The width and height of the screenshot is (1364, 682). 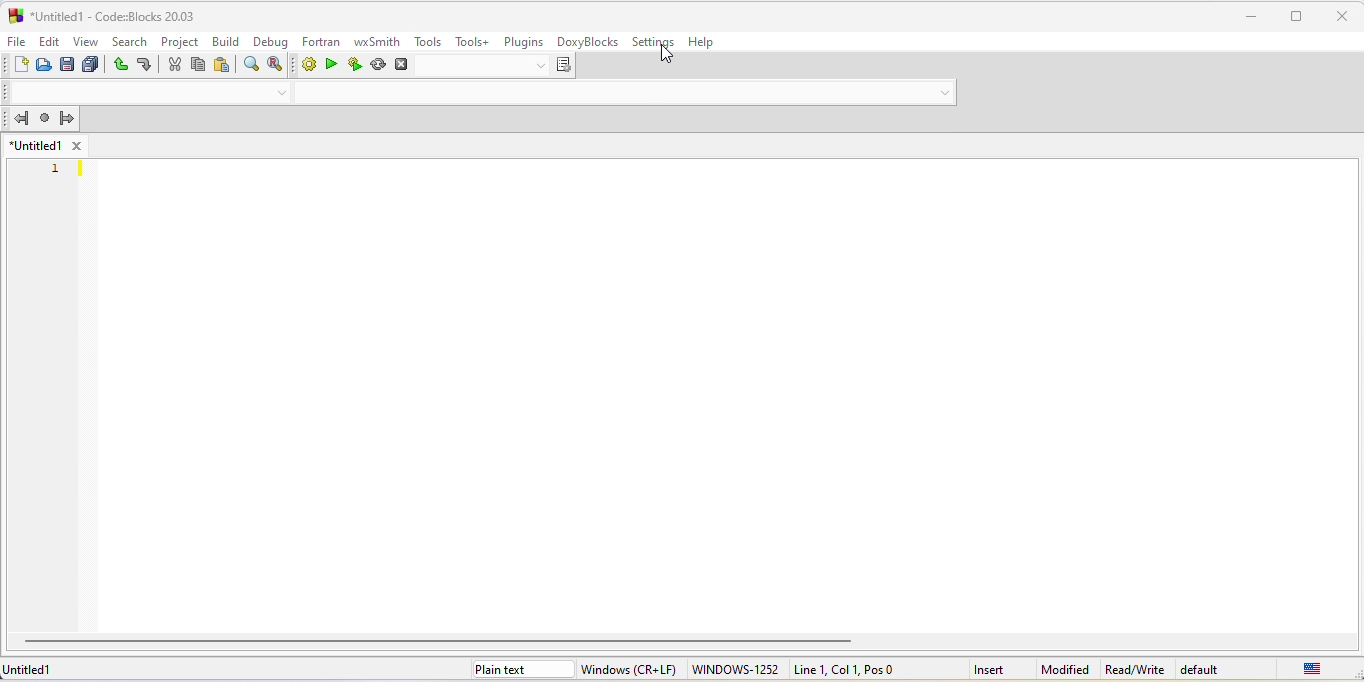 I want to click on settings, so click(x=653, y=41).